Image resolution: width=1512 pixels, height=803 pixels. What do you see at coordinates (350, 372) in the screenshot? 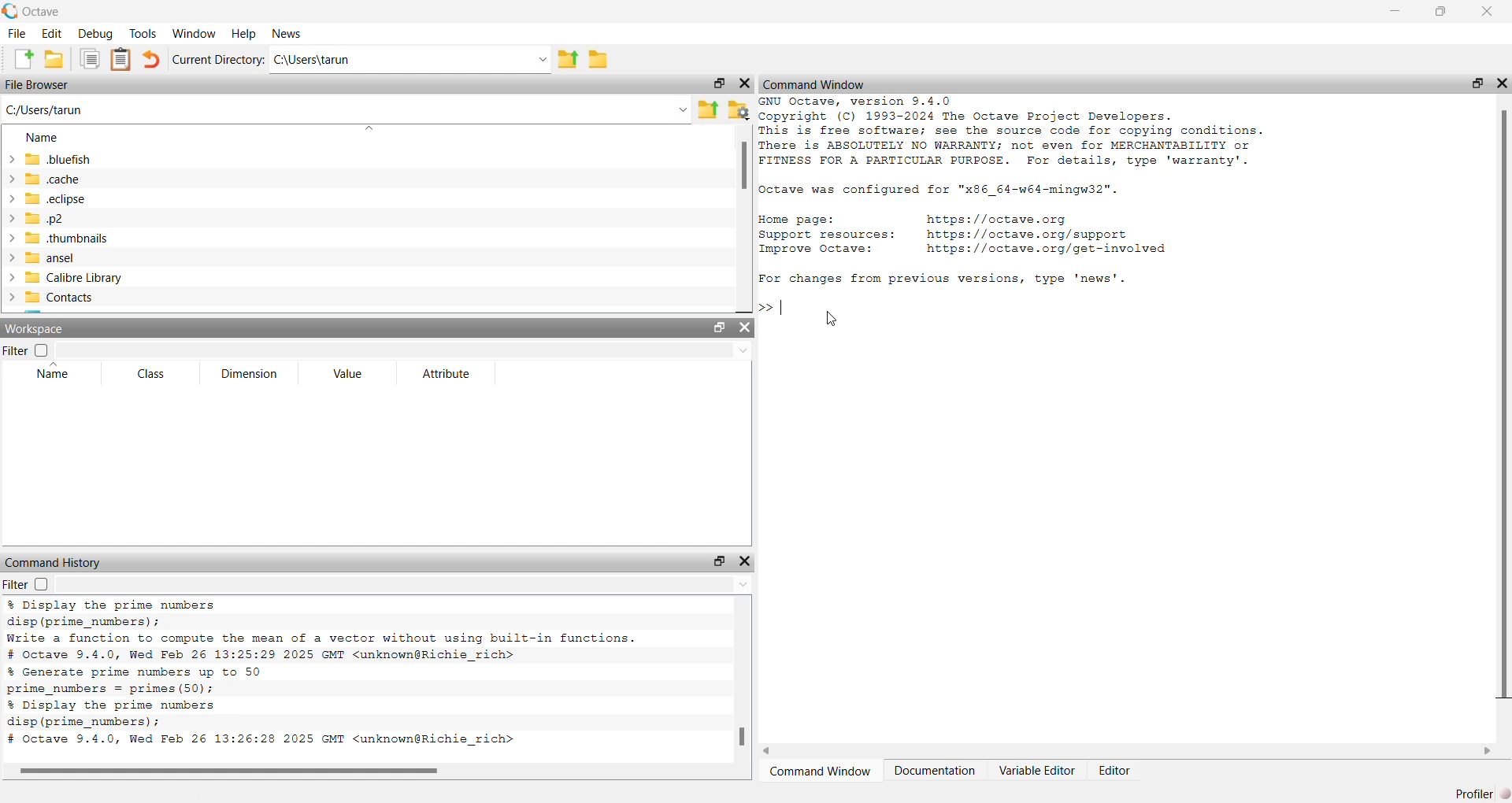
I see `Value` at bounding box center [350, 372].